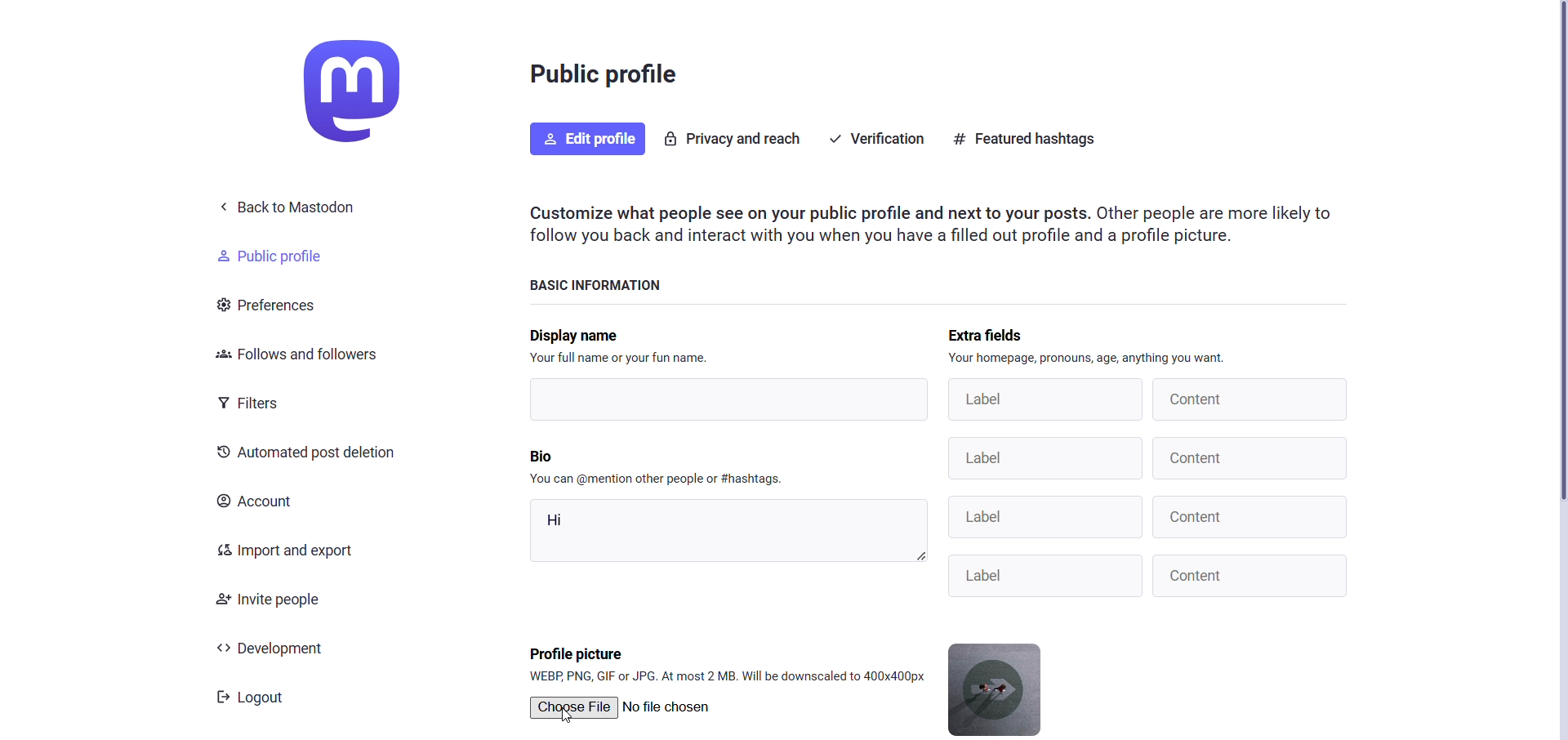 This screenshot has width=1568, height=740. I want to click on privacy and reach, so click(729, 140).